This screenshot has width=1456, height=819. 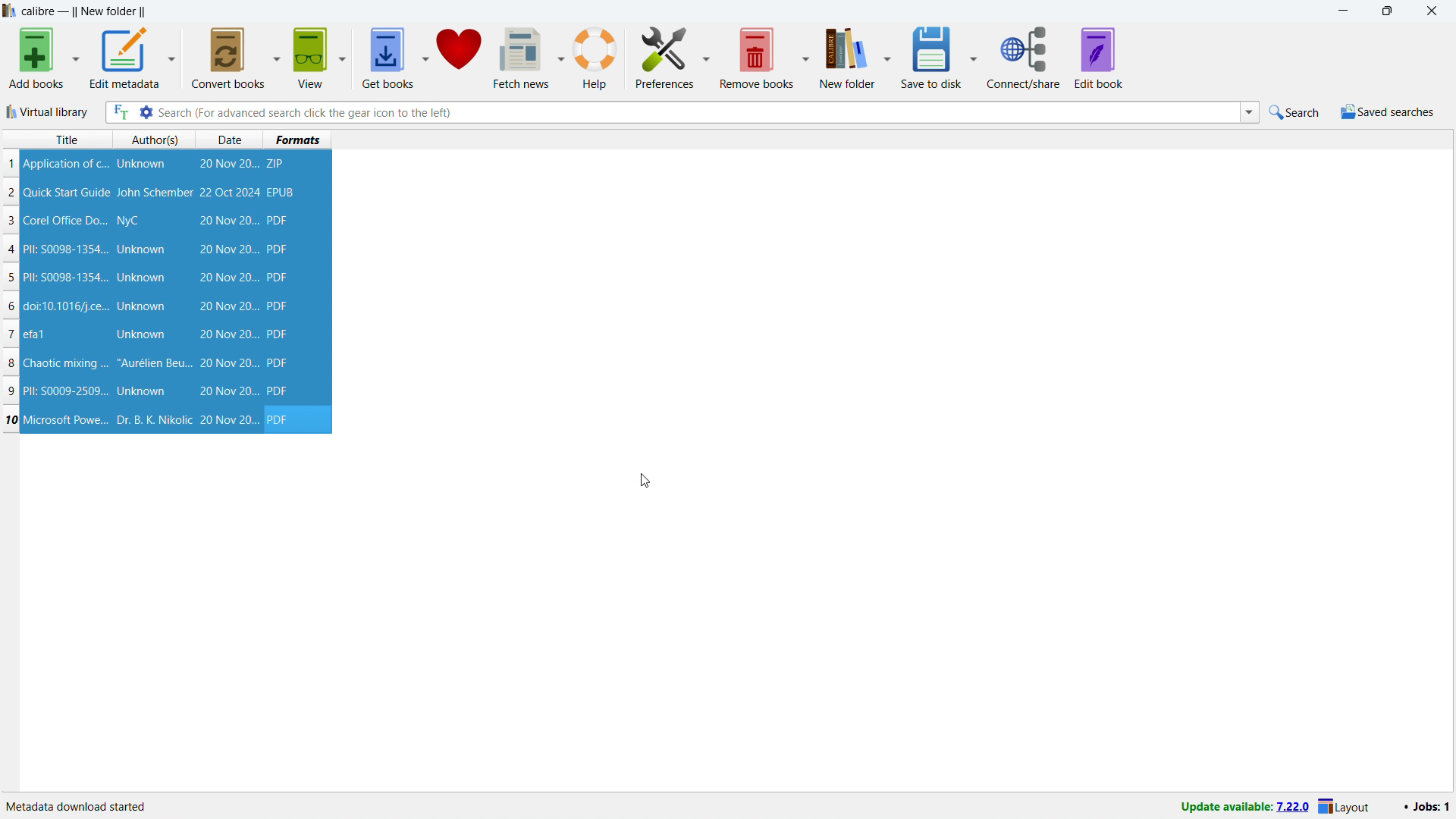 What do you see at coordinates (66, 278) in the screenshot?
I see `PII:S0098-1354...` at bounding box center [66, 278].